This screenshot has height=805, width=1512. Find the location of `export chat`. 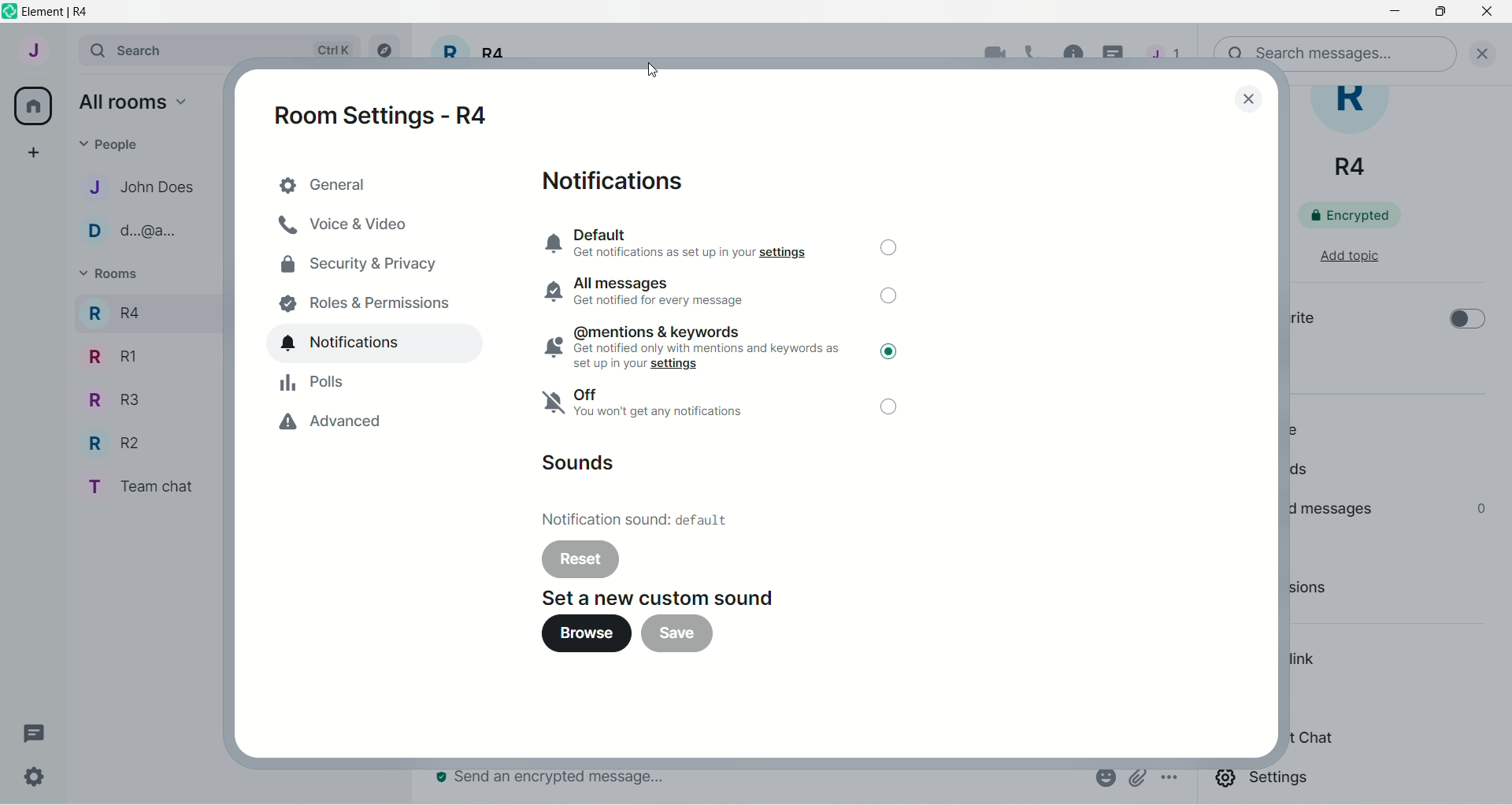

export chat is located at coordinates (1311, 738).